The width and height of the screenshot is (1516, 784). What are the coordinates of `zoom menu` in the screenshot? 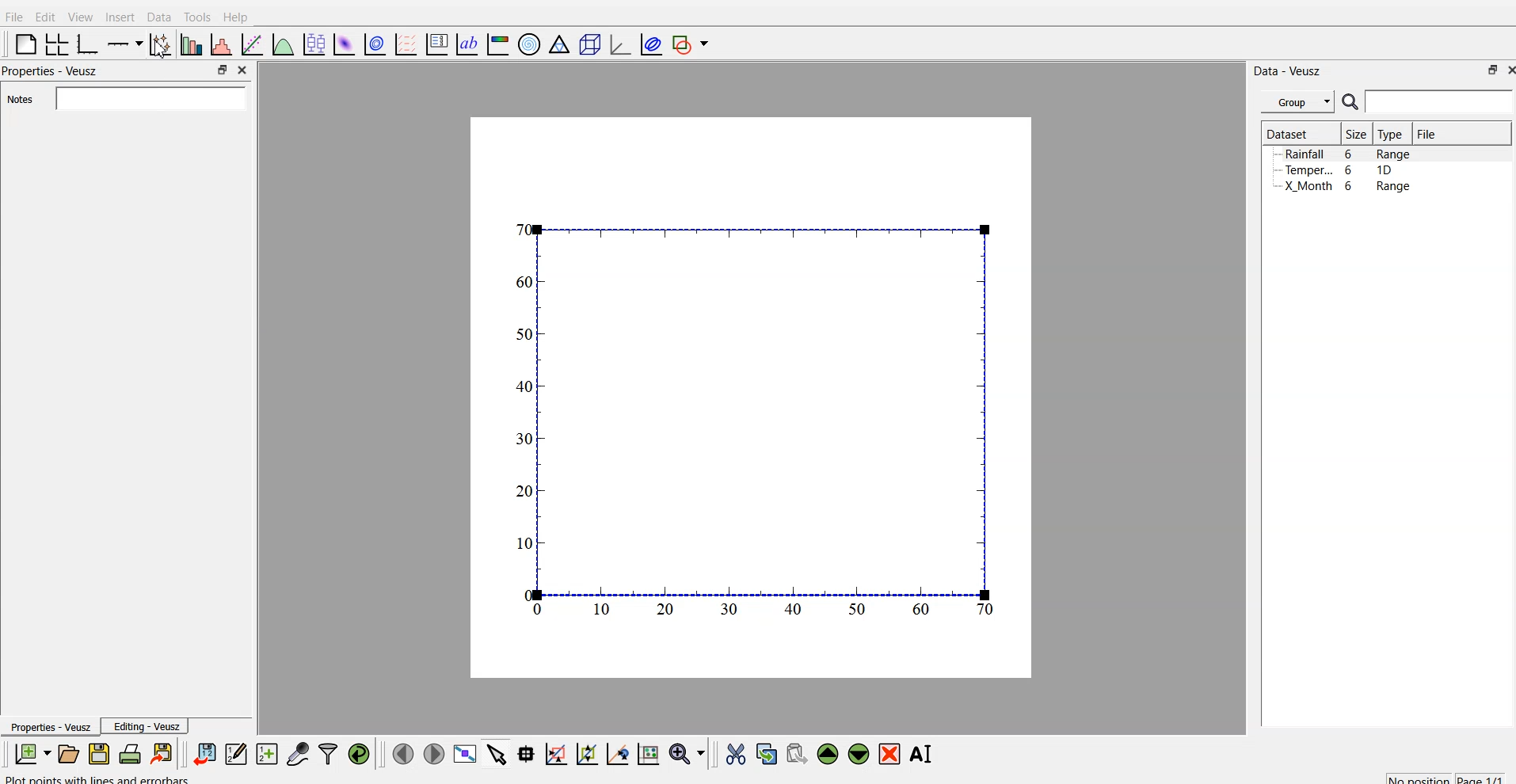 It's located at (688, 752).